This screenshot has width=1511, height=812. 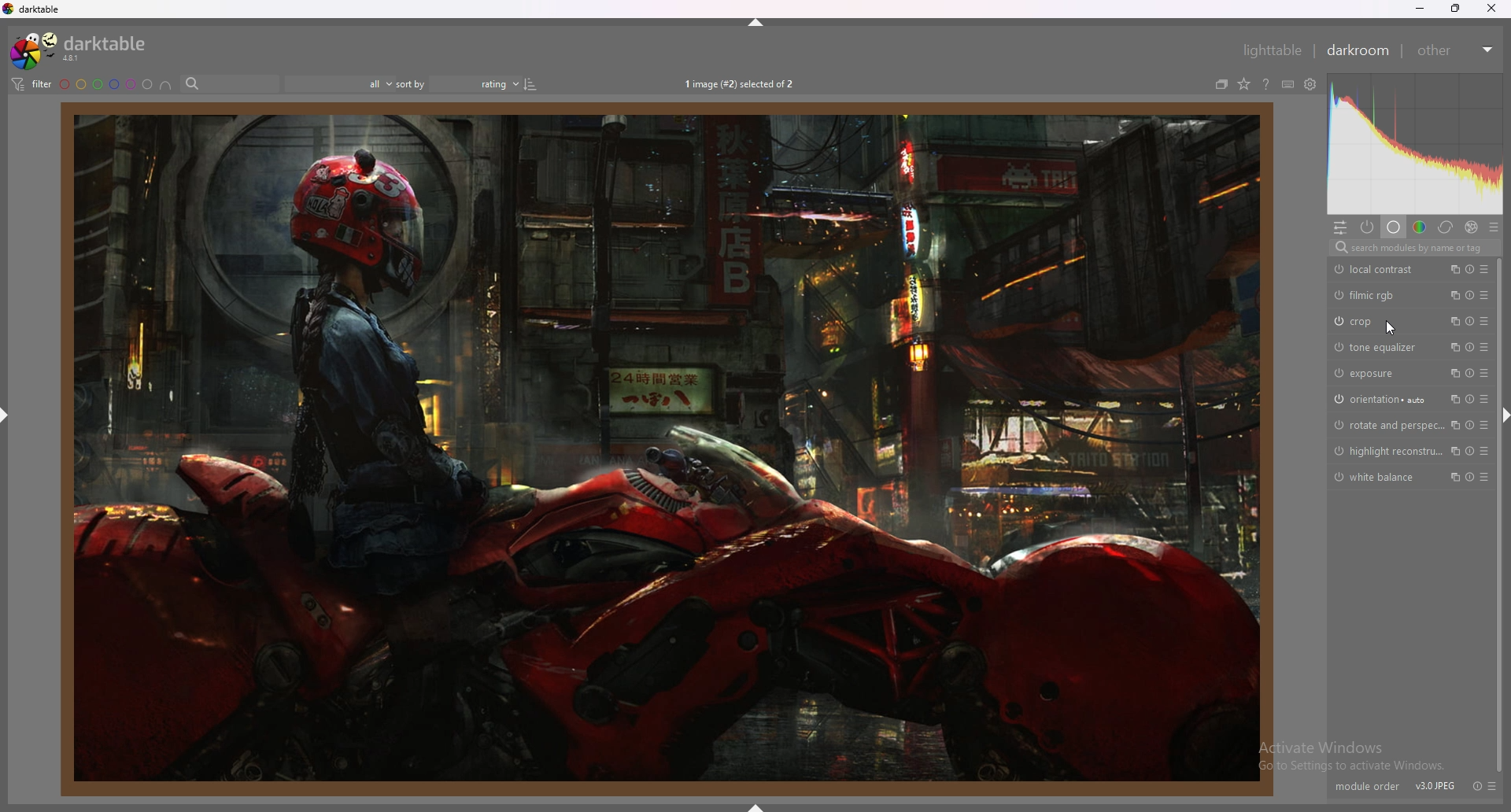 What do you see at coordinates (1499, 515) in the screenshot?
I see `scroll bar` at bounding box center [1499, 515].